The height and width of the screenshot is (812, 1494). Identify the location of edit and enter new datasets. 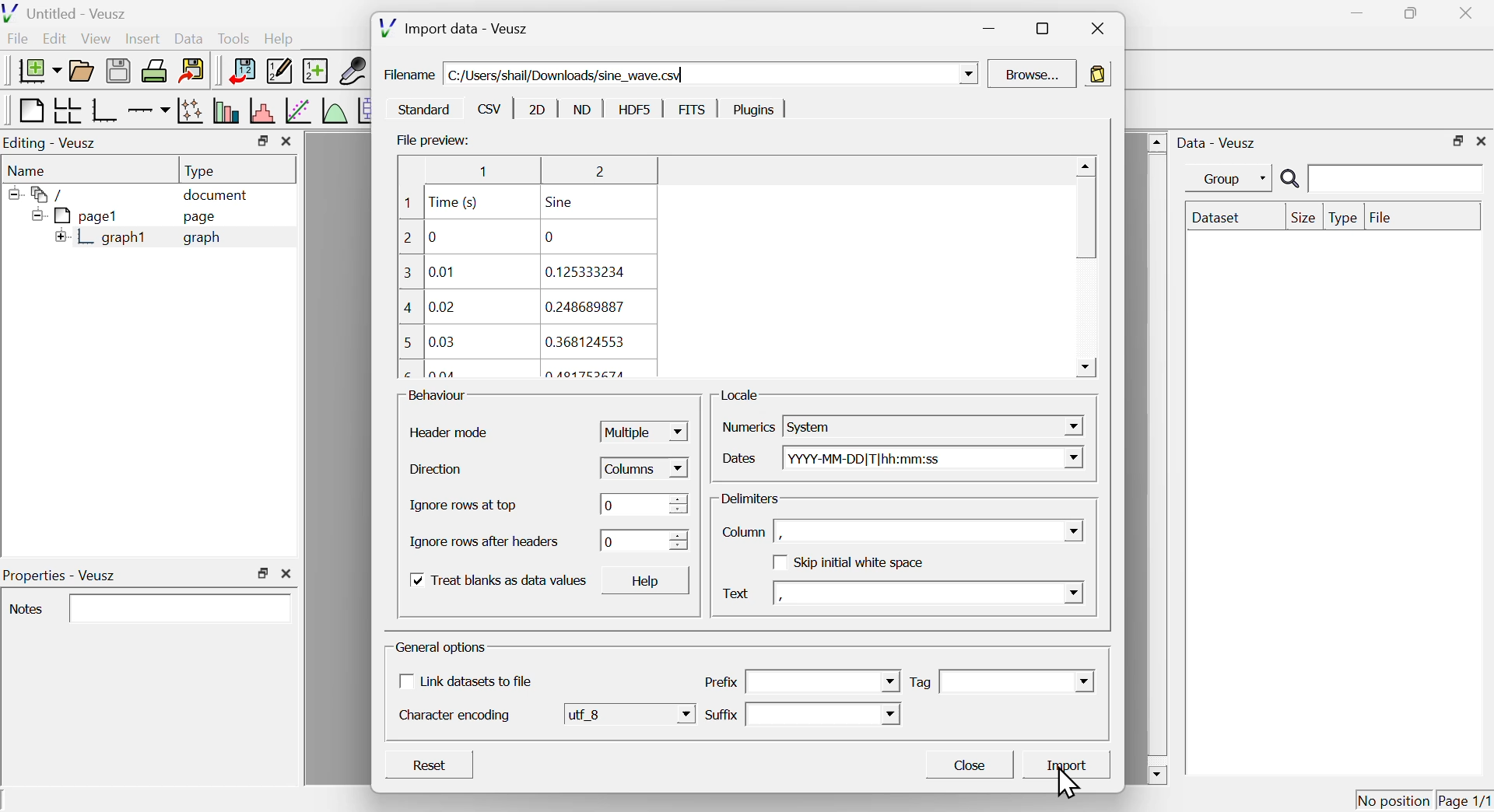
(278, 71).